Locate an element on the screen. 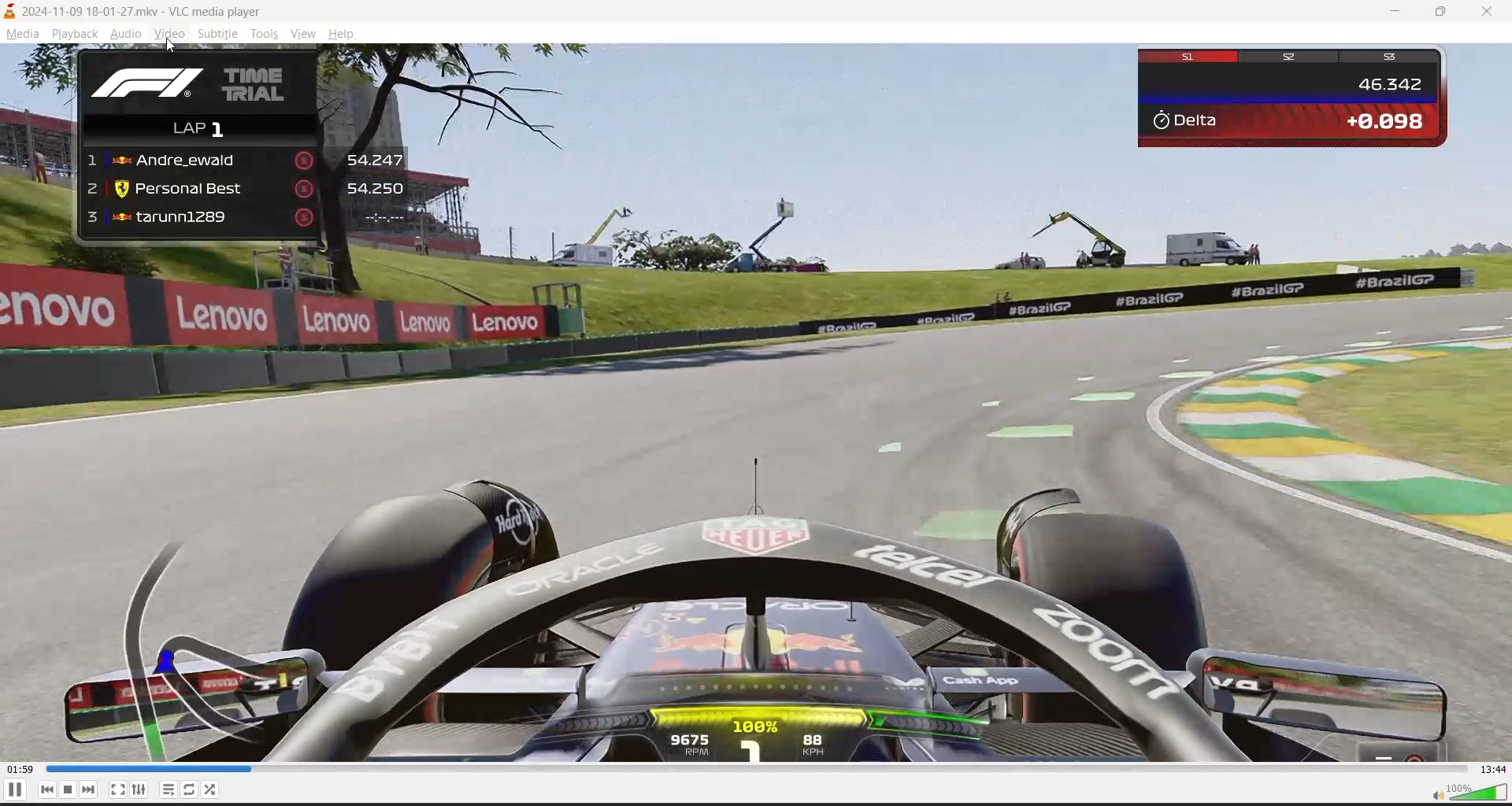  cursor is located at coordinates (173, 48).